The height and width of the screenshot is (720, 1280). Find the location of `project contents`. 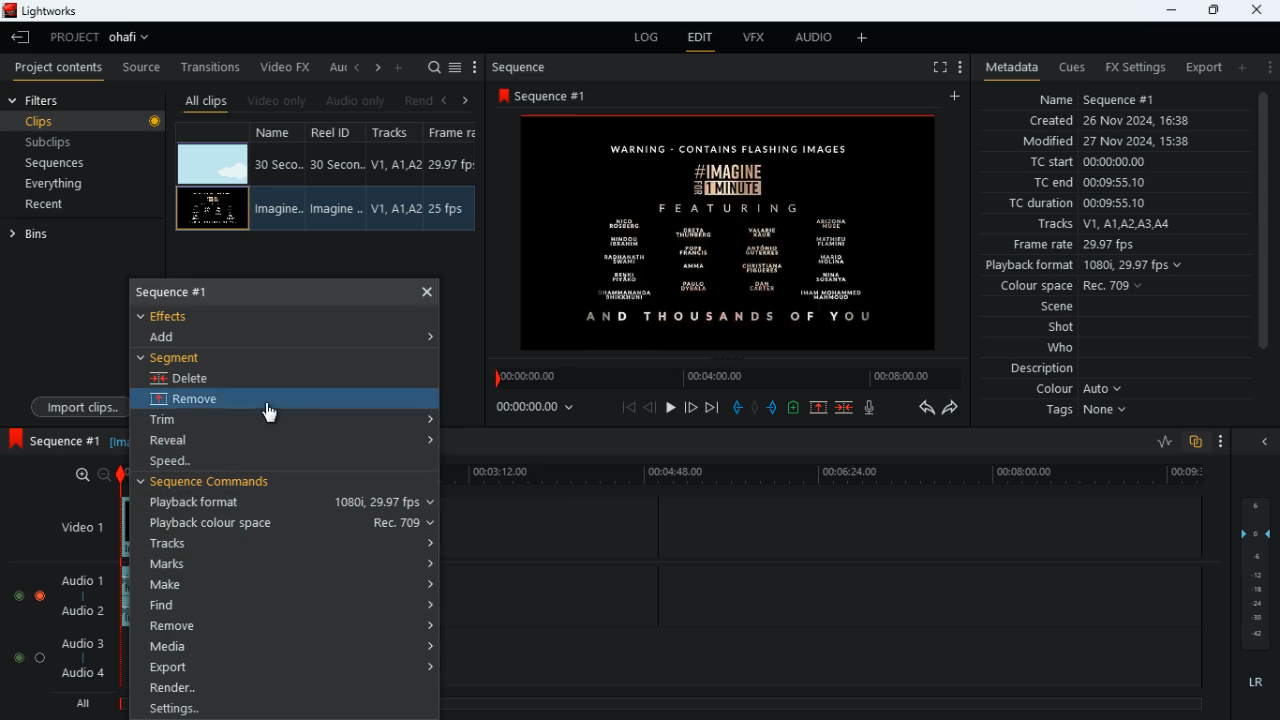

project contents is located at coordinates (58, 66).